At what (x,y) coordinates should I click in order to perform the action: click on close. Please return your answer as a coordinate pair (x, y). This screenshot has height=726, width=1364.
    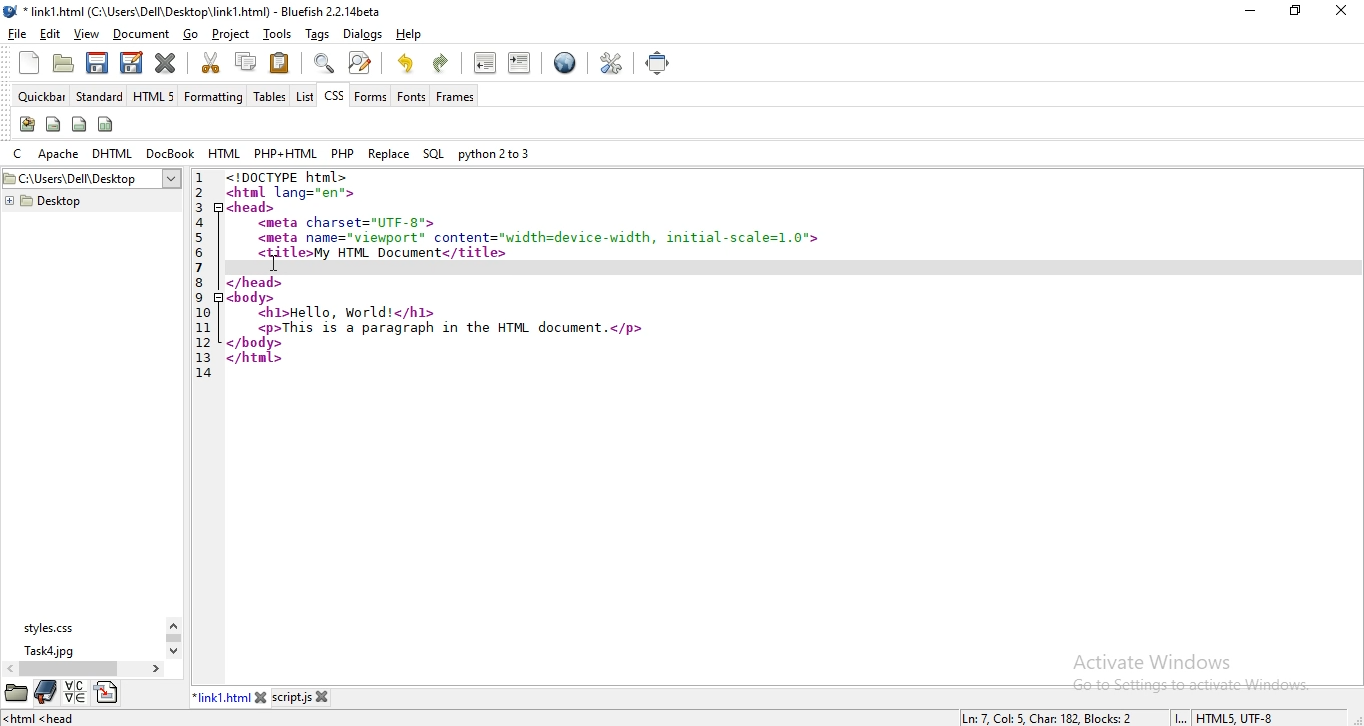
    Looking at the image, I should click on (263, 695).